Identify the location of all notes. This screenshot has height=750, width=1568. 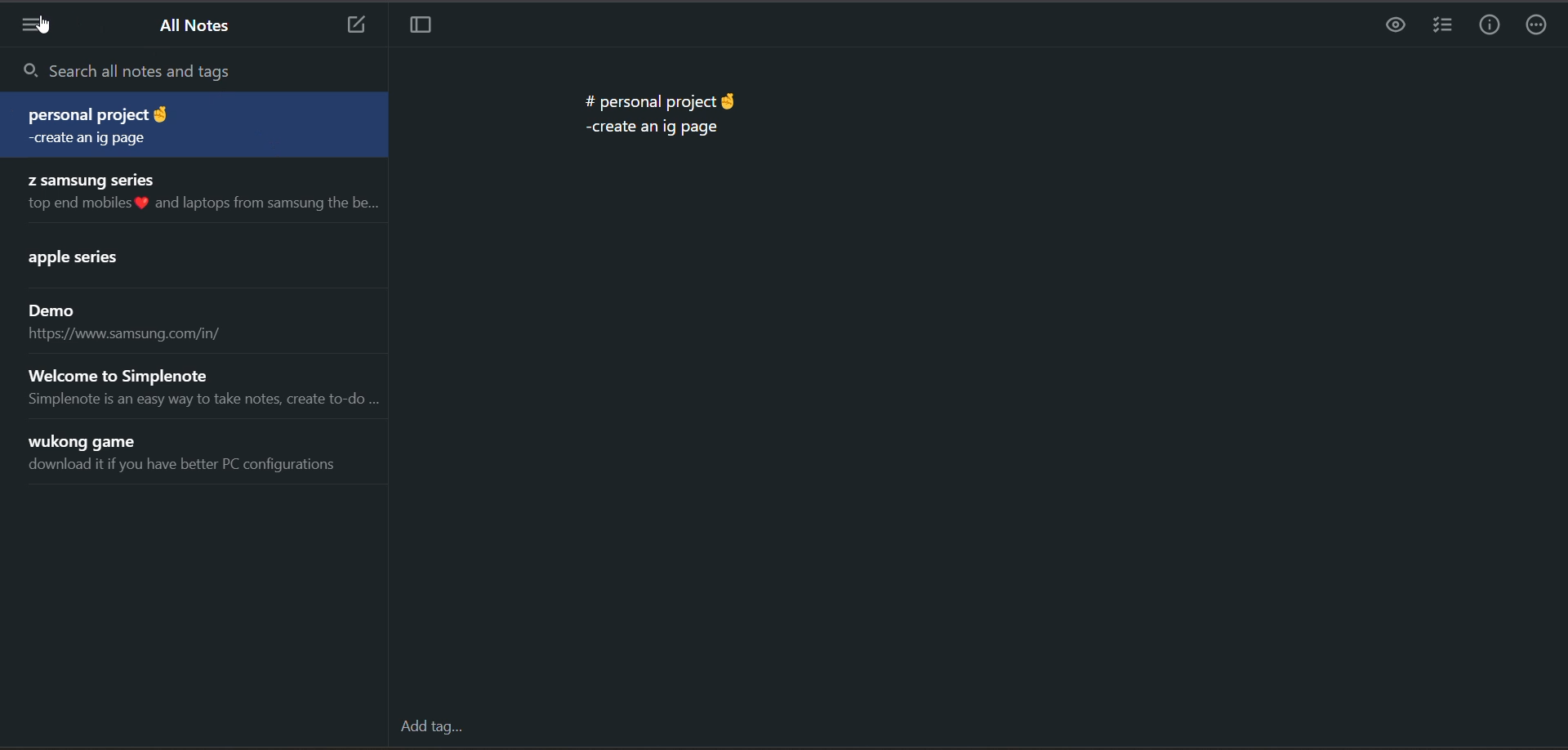
(190, 27).